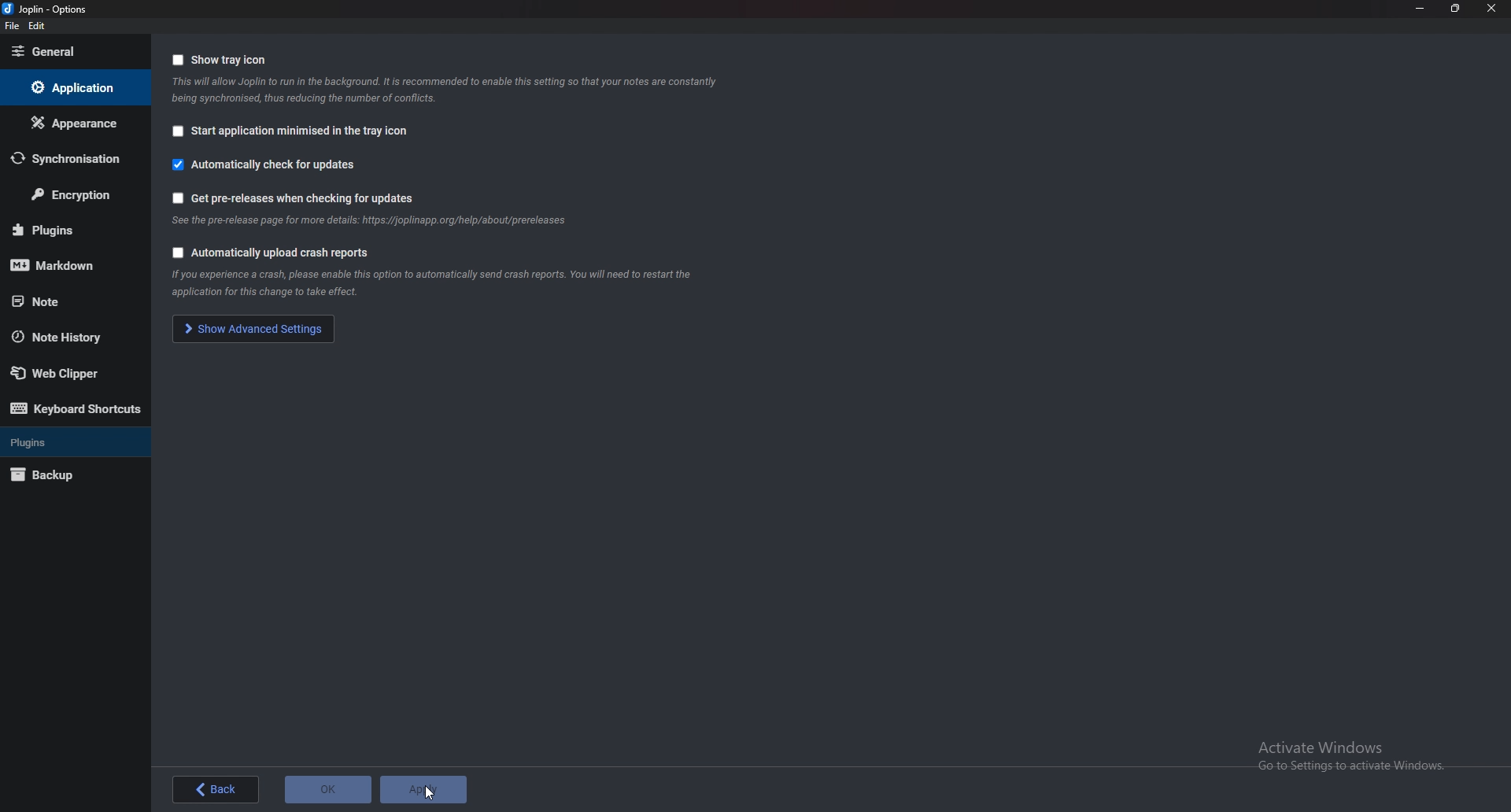  Describe the element at coordinates (1453, 9) in the screenshot. I see `Resize` at that location.